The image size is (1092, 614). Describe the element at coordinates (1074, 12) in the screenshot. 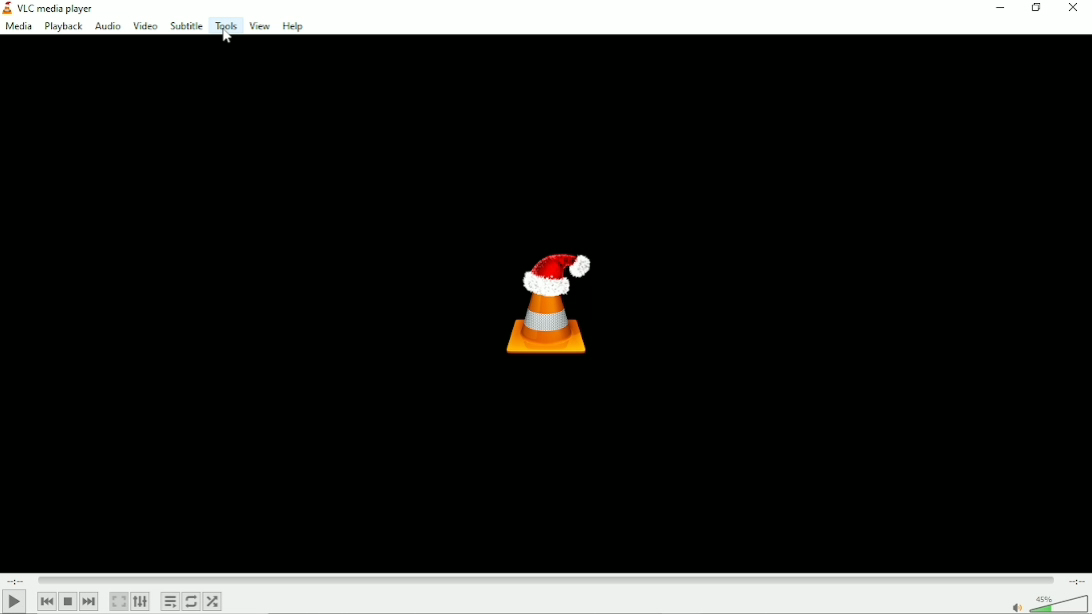

I see `Close` at that location.